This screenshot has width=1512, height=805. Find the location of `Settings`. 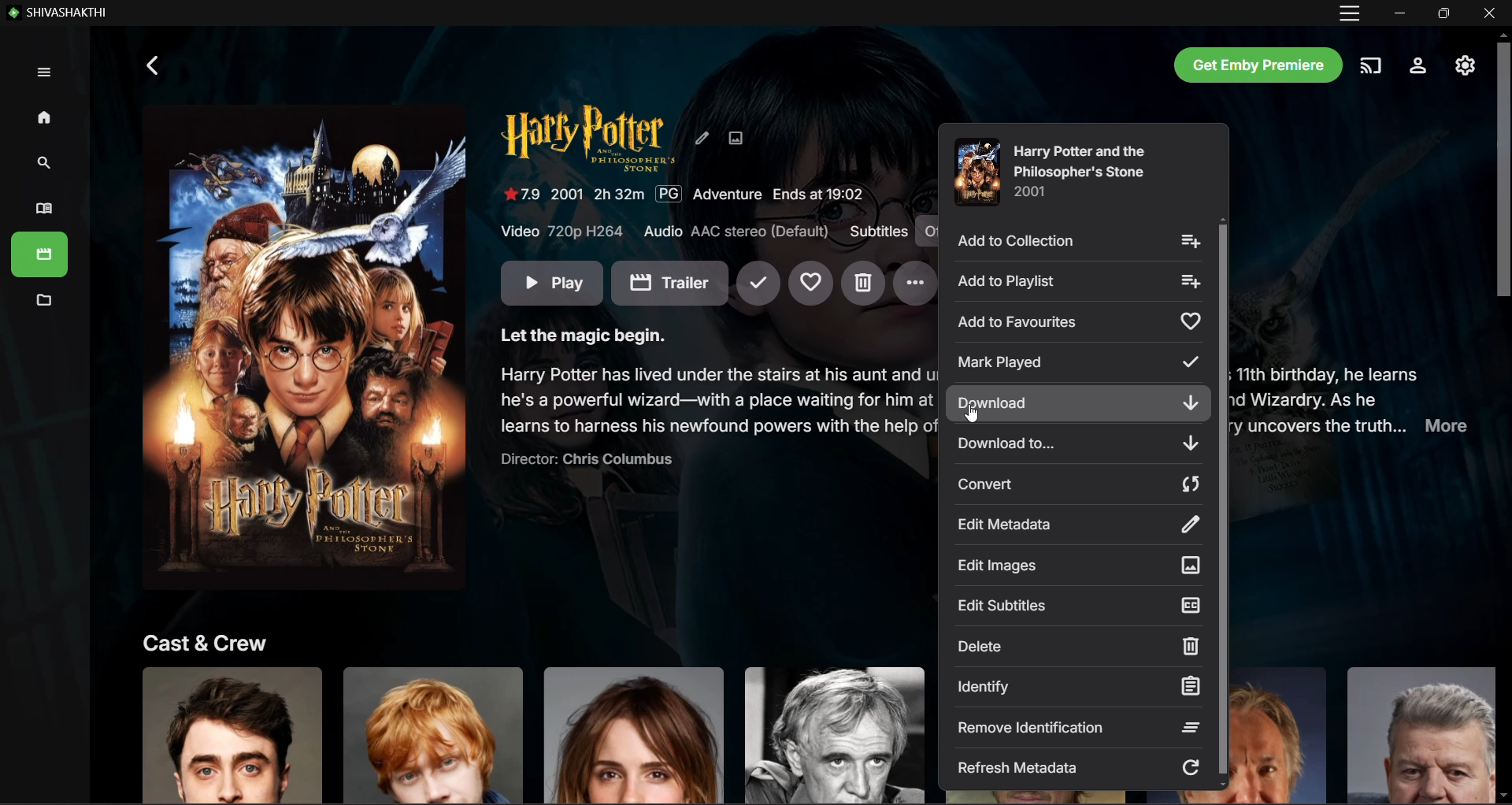

Settings is located at coordinates (1419, 65).